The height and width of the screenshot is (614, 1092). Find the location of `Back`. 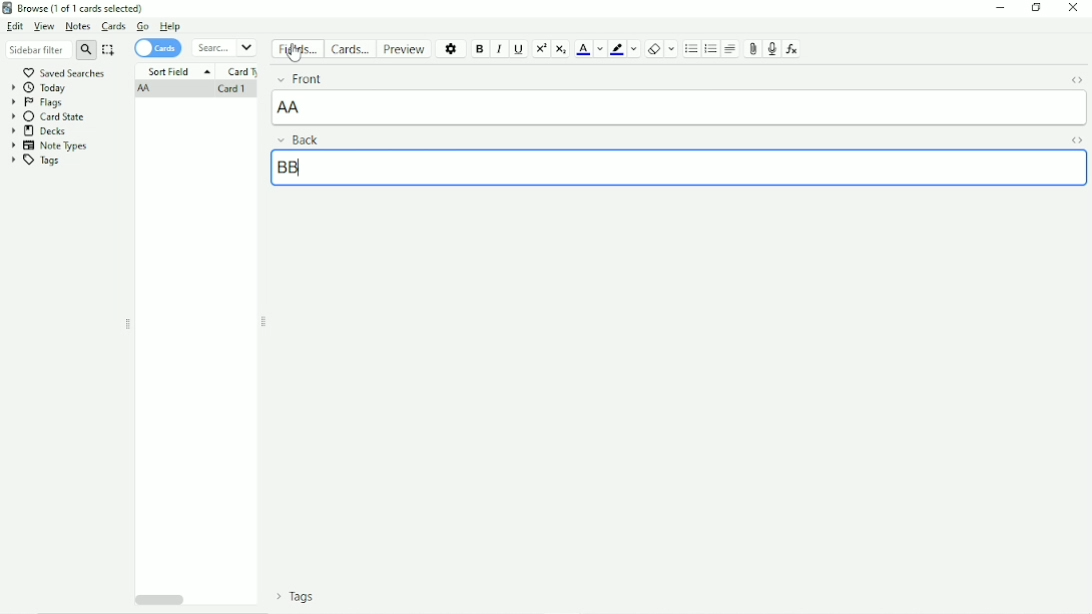

Back is located at coordinates (298, 139).